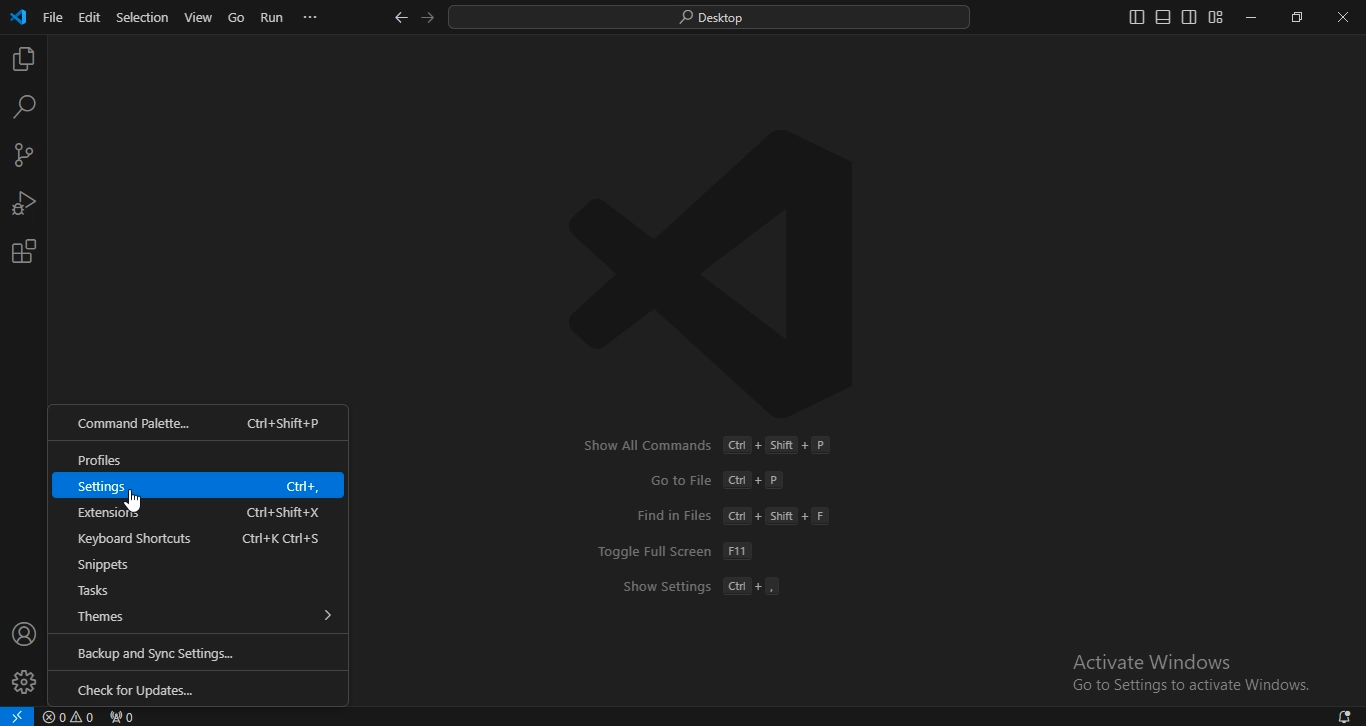  Describe the element at coordinates (154, 486) in the screenshot. I see `settings` at that location.